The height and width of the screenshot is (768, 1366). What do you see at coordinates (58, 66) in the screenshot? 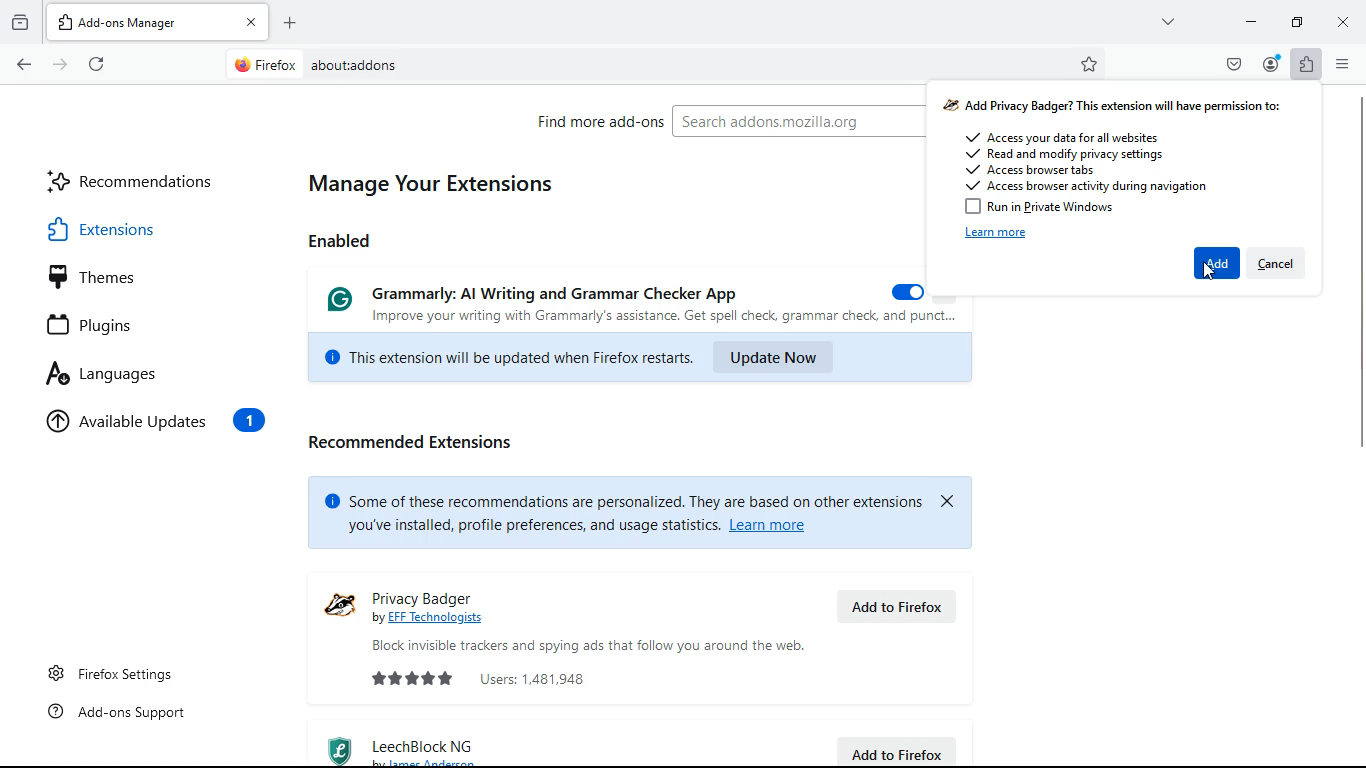
I see `forward` at bounding box center [58, 66].